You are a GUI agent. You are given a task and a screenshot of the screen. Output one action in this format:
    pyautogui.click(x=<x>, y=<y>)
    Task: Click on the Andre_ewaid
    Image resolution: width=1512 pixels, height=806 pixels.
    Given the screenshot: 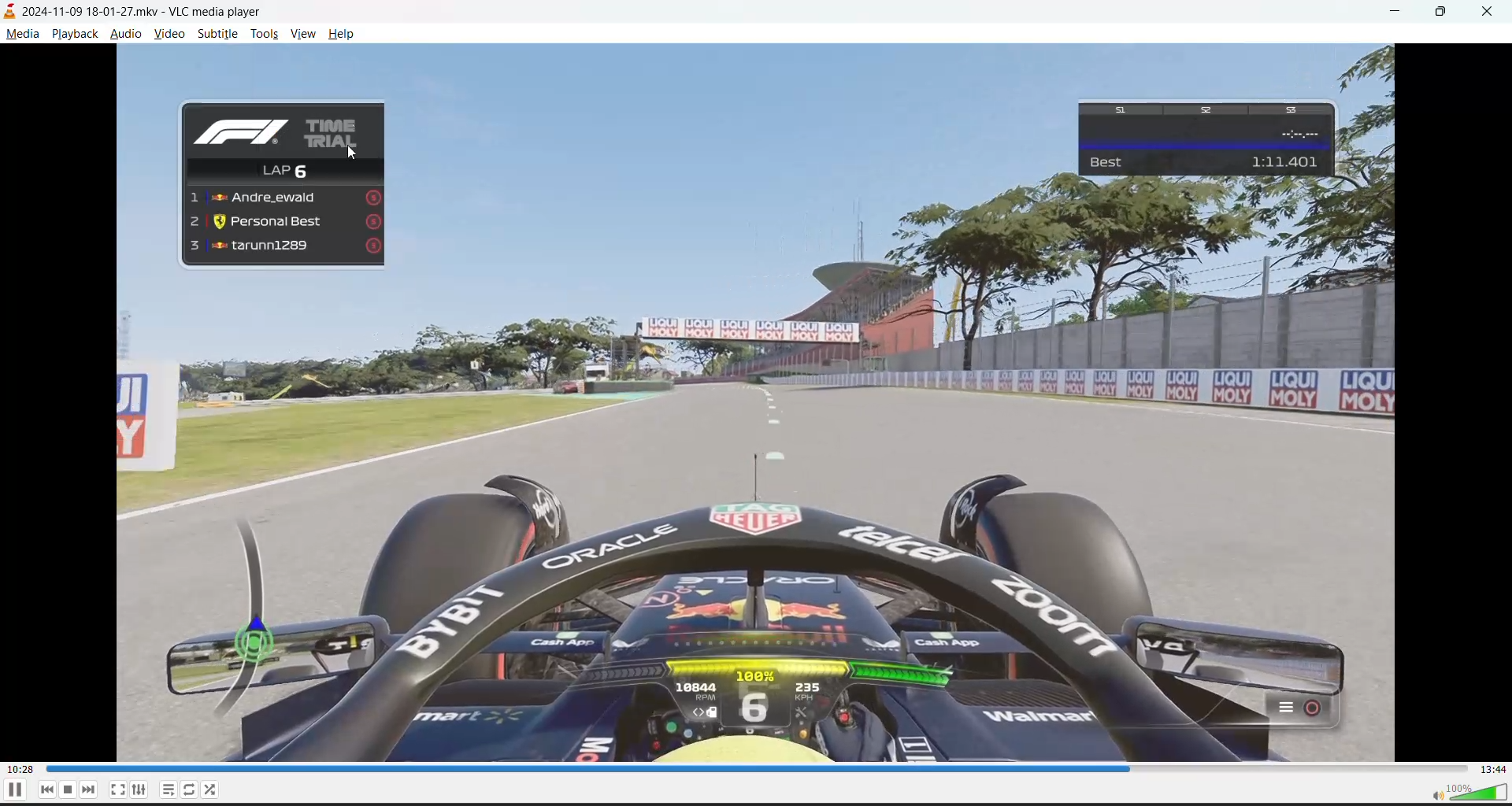 What is the action you would take?
    pyautogui.click(x=283, y=197)
    